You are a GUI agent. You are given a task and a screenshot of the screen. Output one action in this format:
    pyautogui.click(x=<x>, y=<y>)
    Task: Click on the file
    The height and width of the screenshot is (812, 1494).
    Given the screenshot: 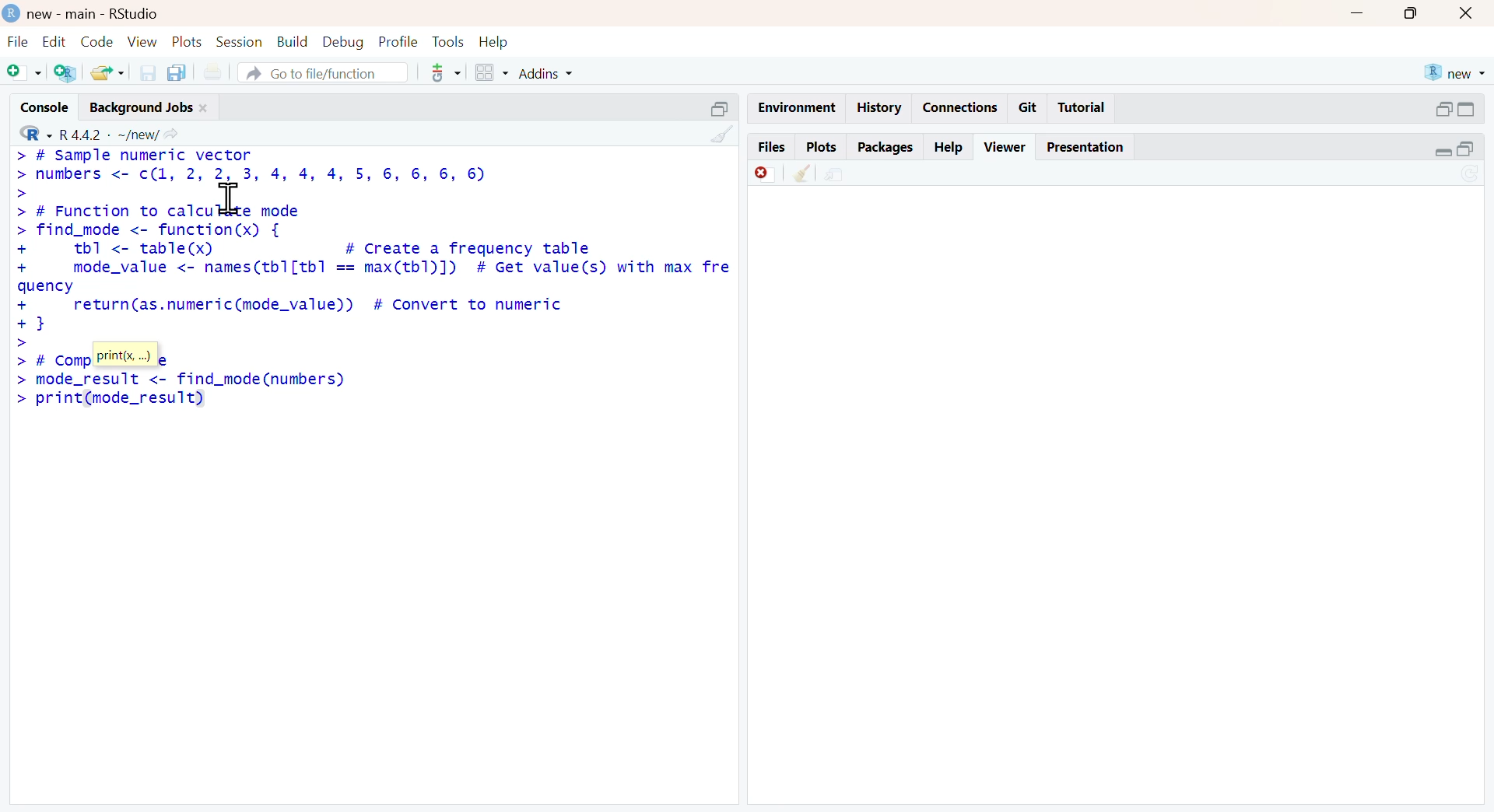 What is the action you would take?
    pyautogui.click(x=18, y=41)
    